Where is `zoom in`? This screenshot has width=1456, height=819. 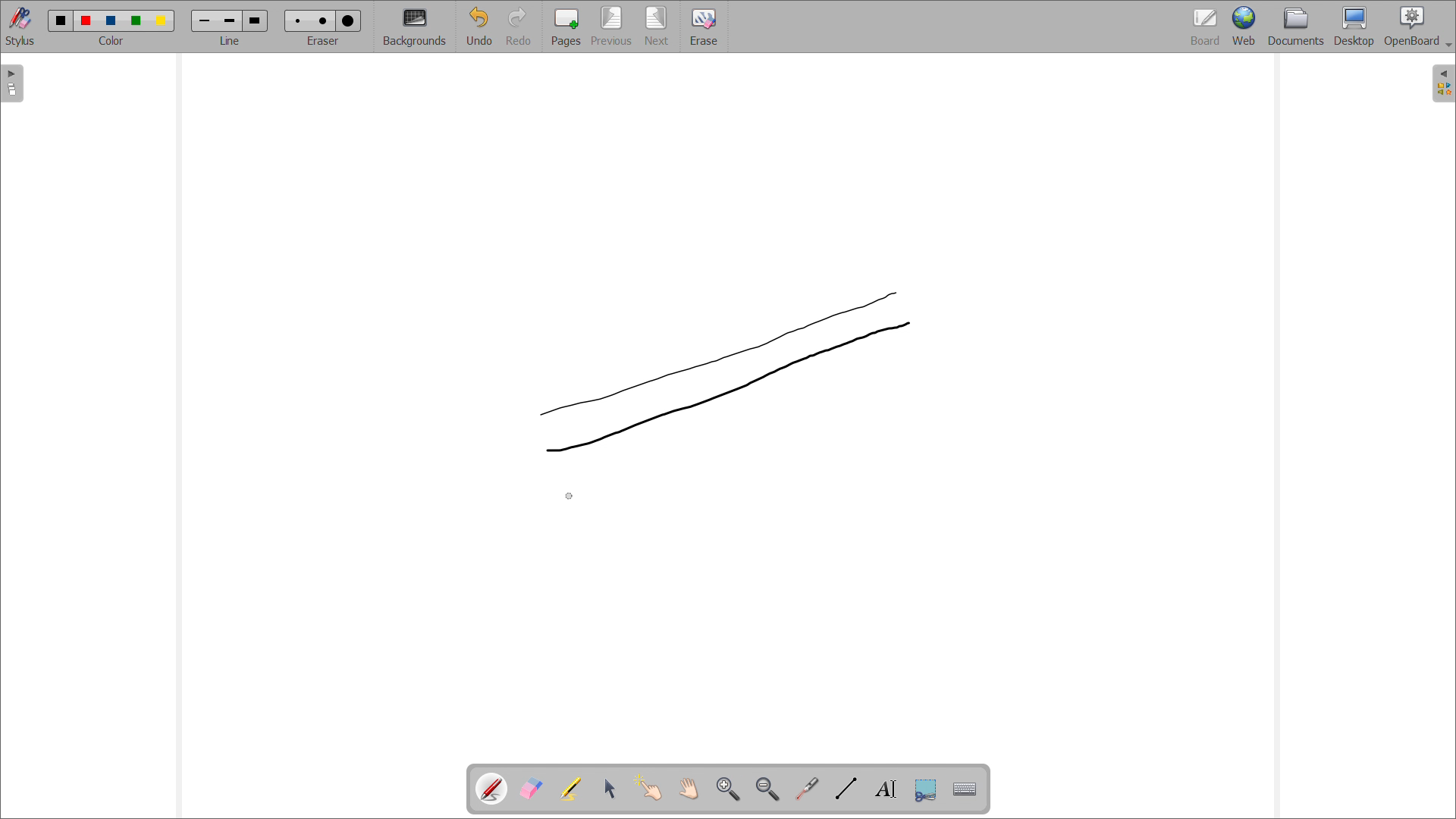
zoom in is located at coordinates (729, 789).